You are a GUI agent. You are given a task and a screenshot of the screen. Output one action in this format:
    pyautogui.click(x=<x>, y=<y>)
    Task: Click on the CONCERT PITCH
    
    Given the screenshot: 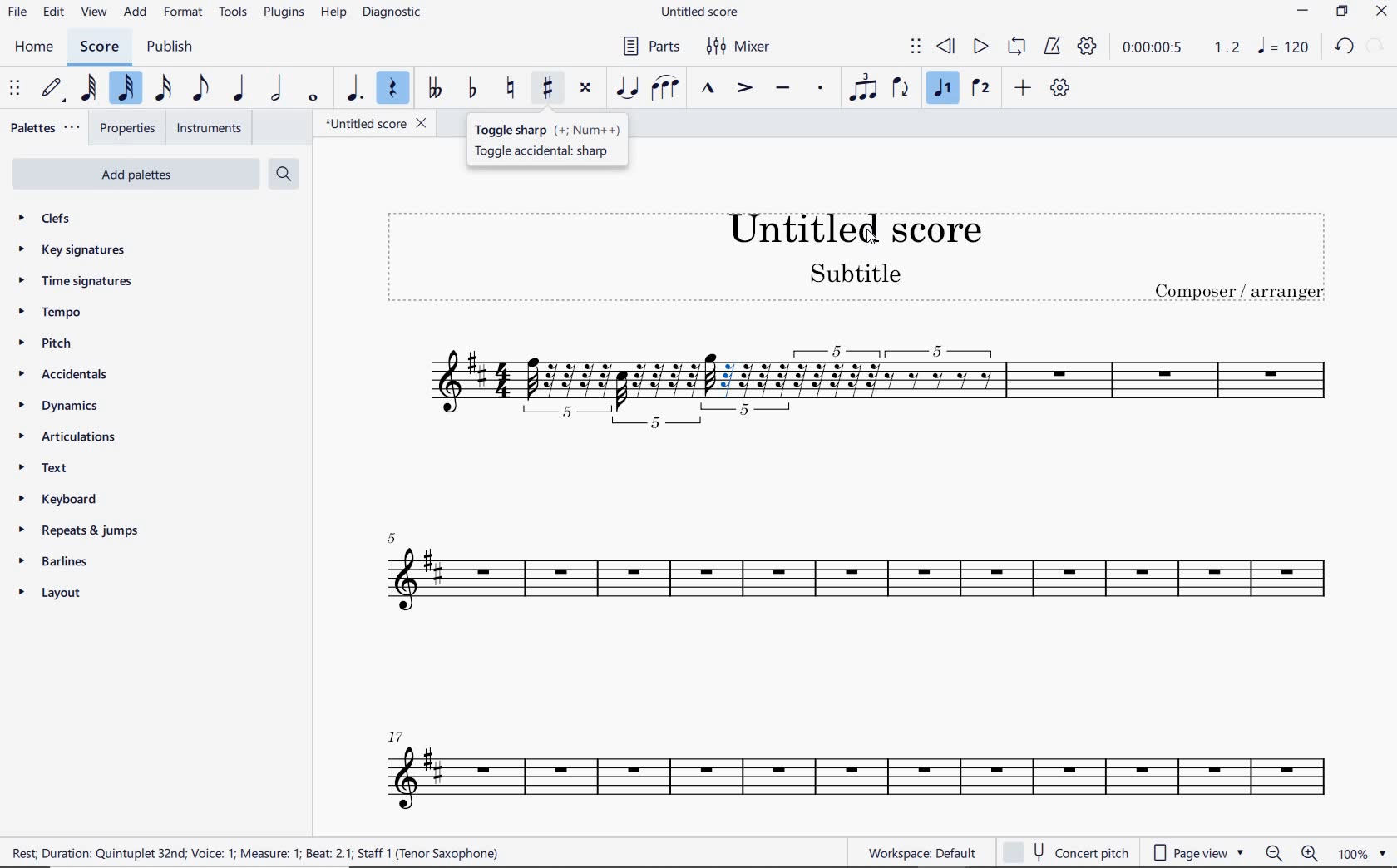 What is the action you would take?
    pyautogui.click(x=1065, y=854)
    